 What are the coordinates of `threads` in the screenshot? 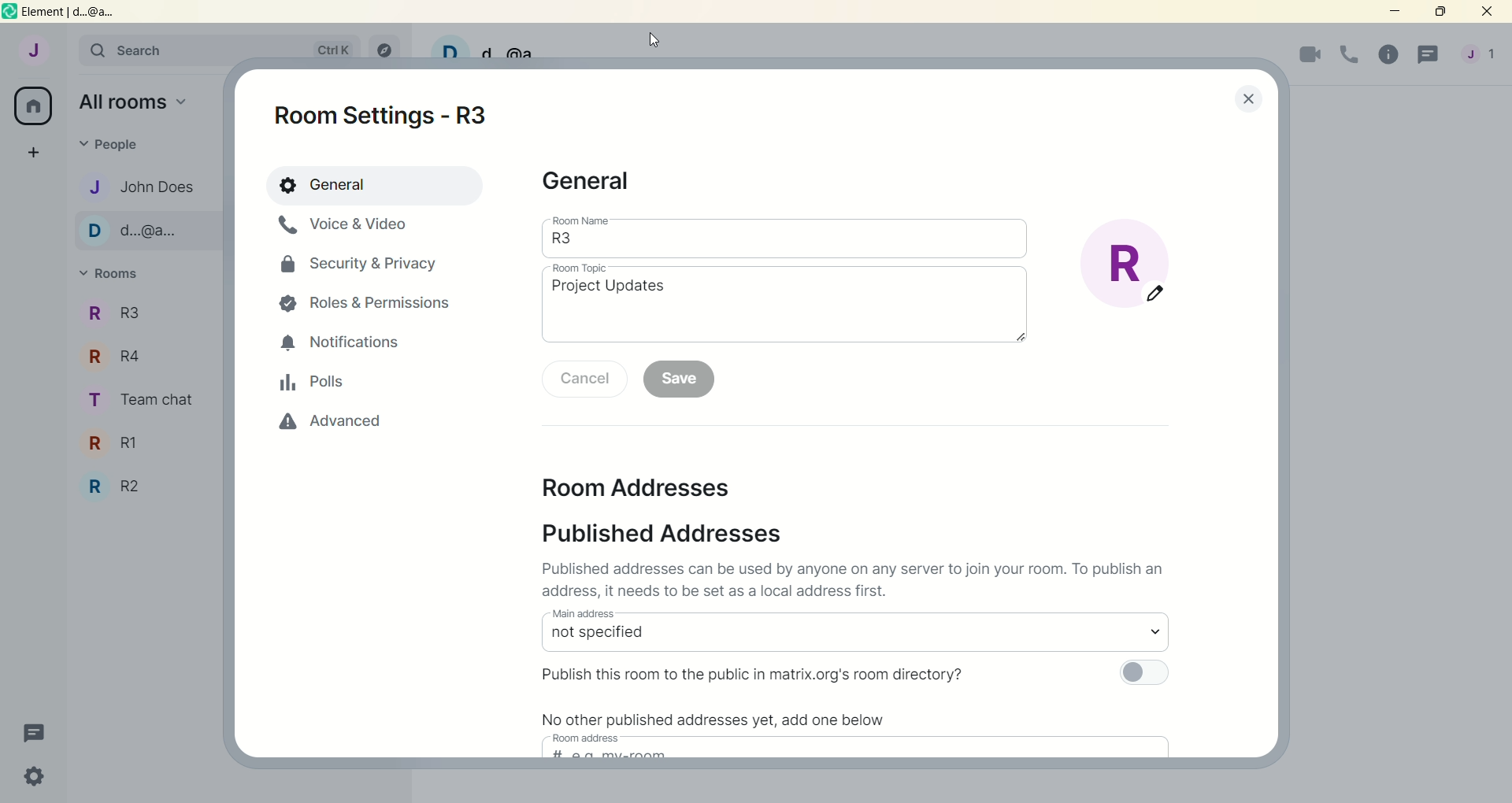 It's located at (1429, 57).